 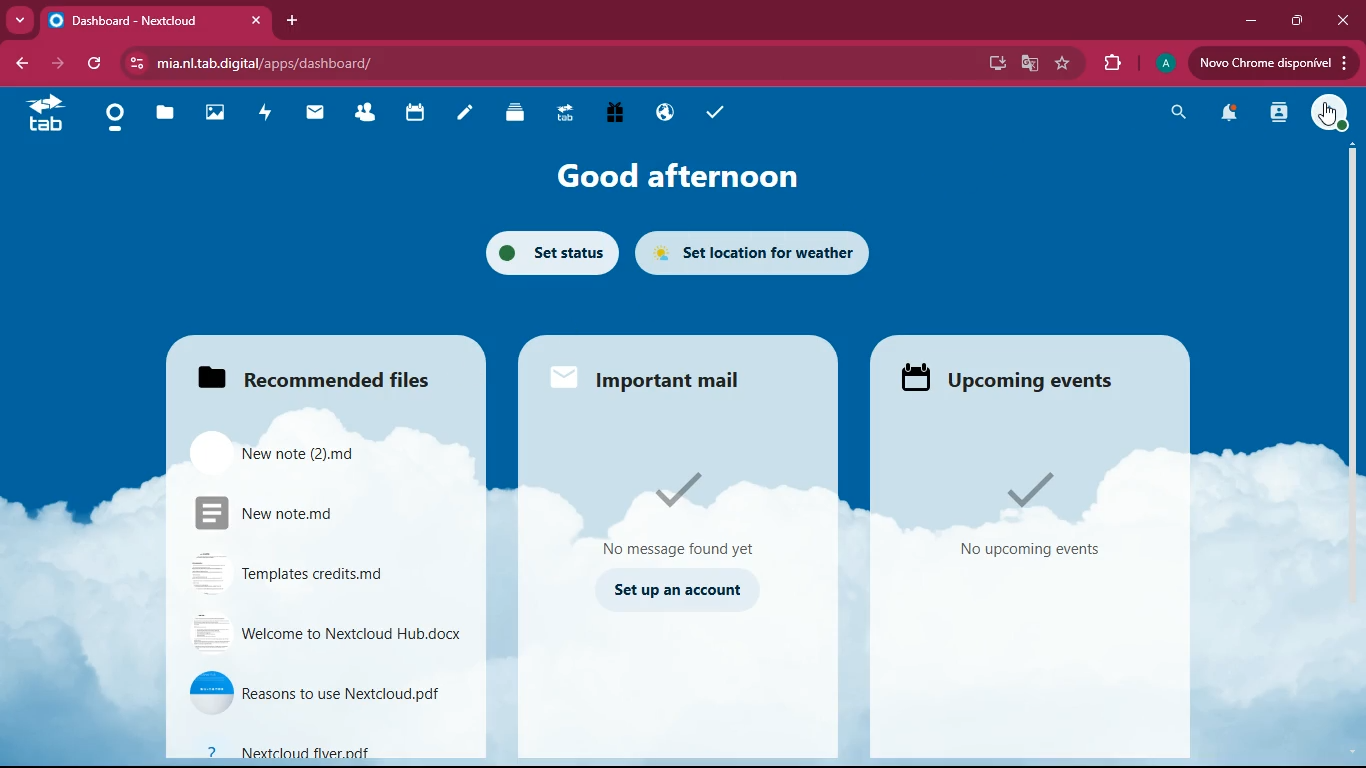 I want to click on notes, so click(x=468, y=116).